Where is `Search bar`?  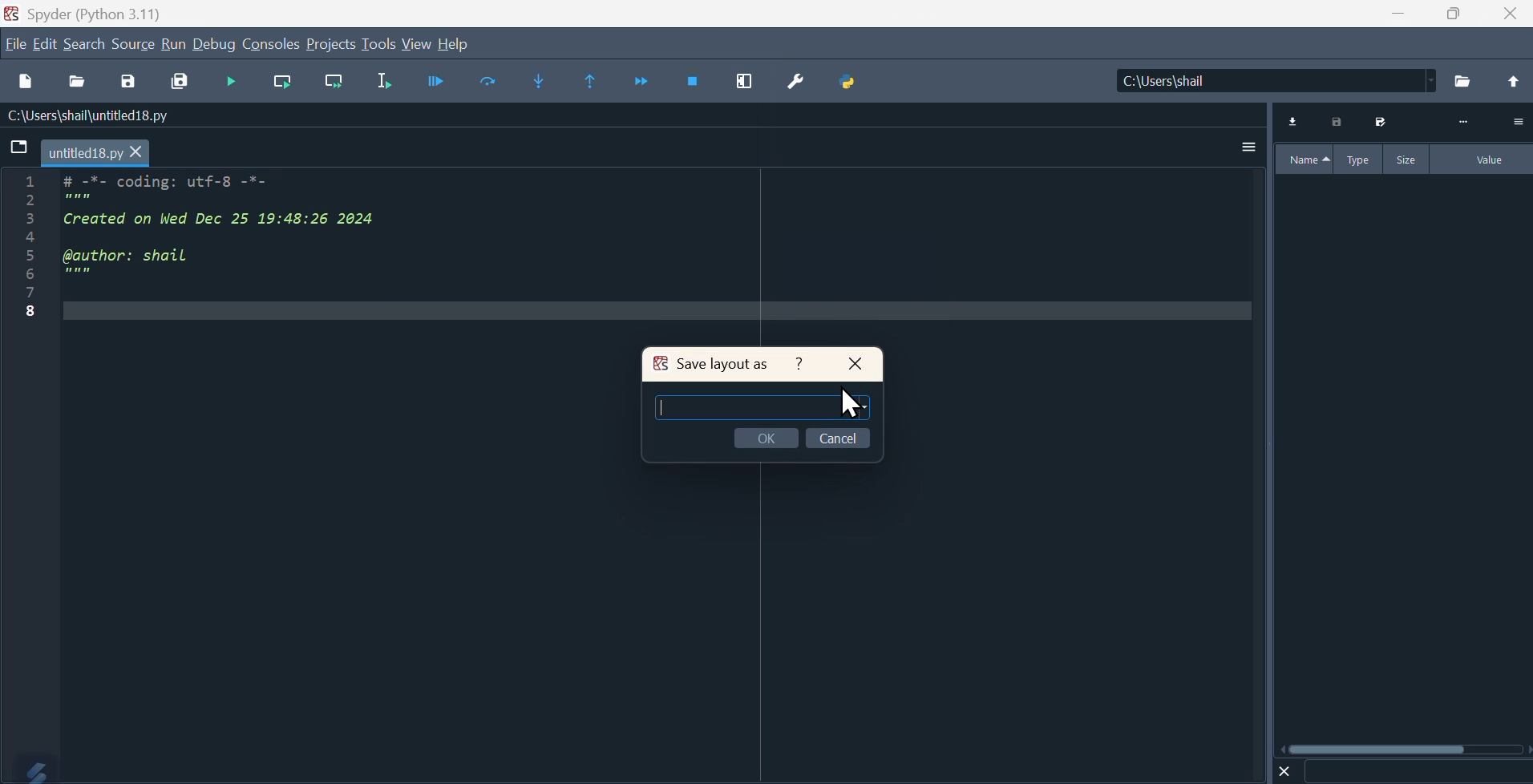 Search bar is located at coordinates (1417, 772).